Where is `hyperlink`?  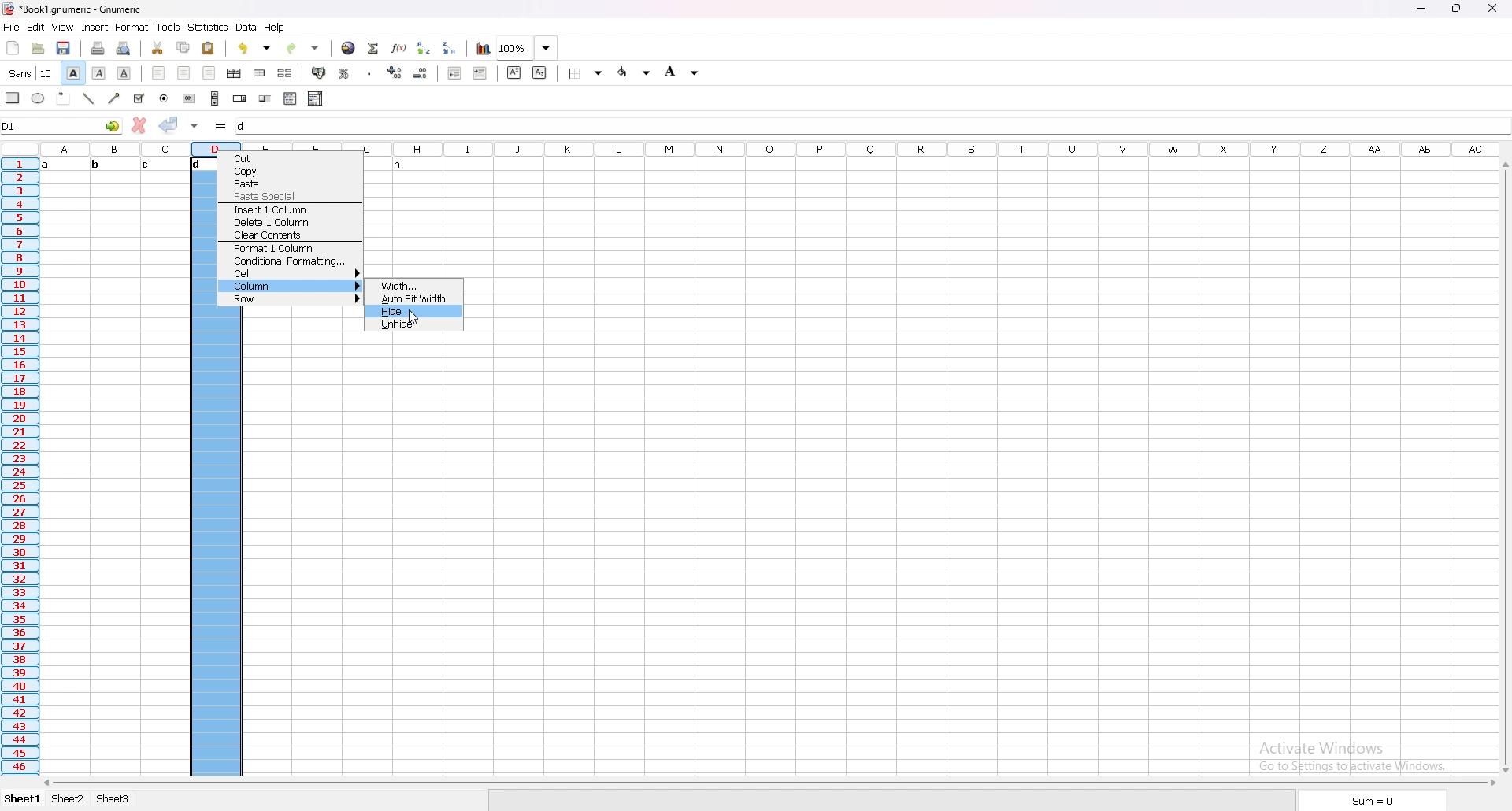
hyperlink is located at coordinates (348, 48).